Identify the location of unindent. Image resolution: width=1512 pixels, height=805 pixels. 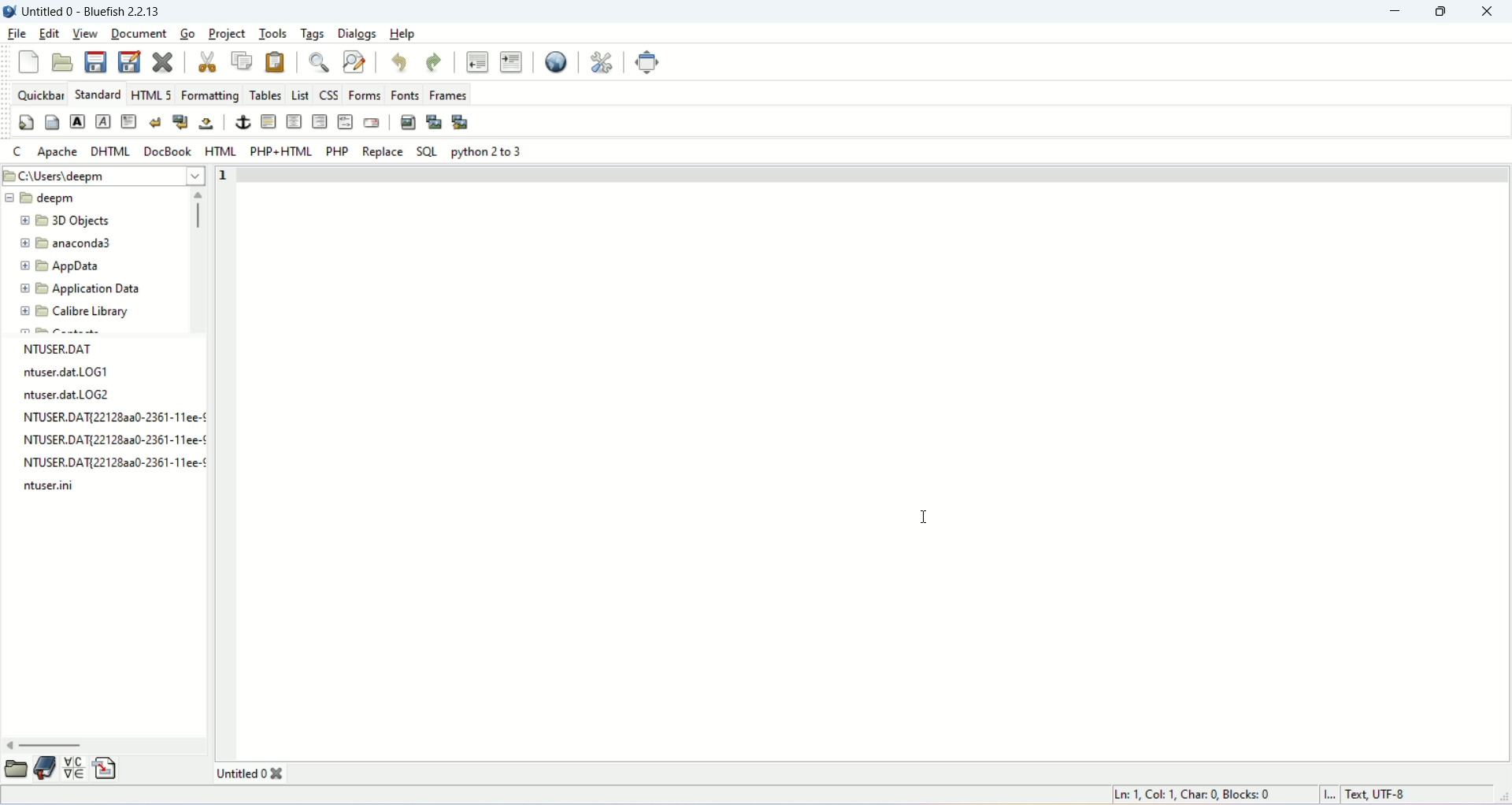
(476, 61).